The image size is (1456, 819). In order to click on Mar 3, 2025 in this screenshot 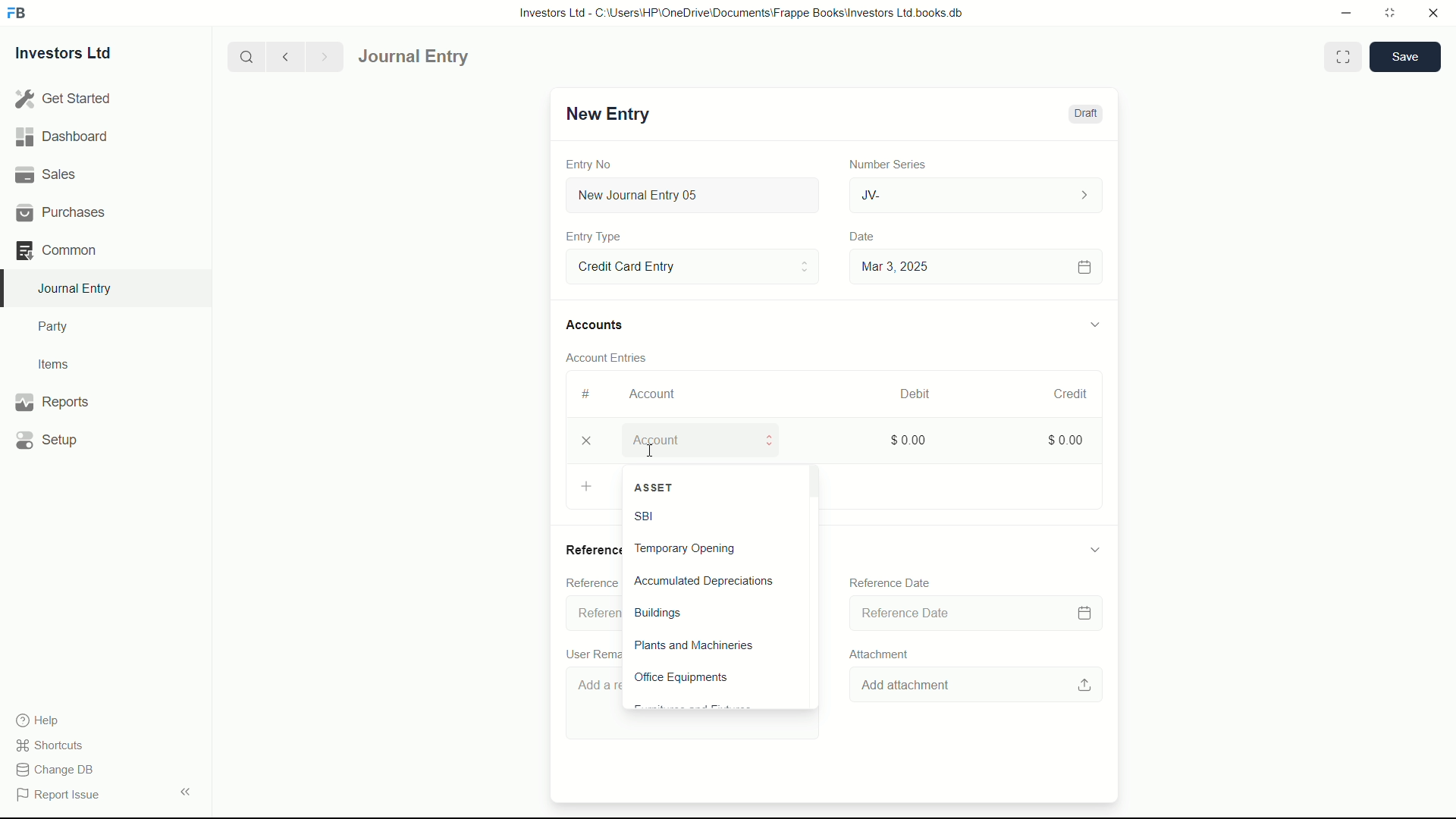, I will do `click(974, 266)`.